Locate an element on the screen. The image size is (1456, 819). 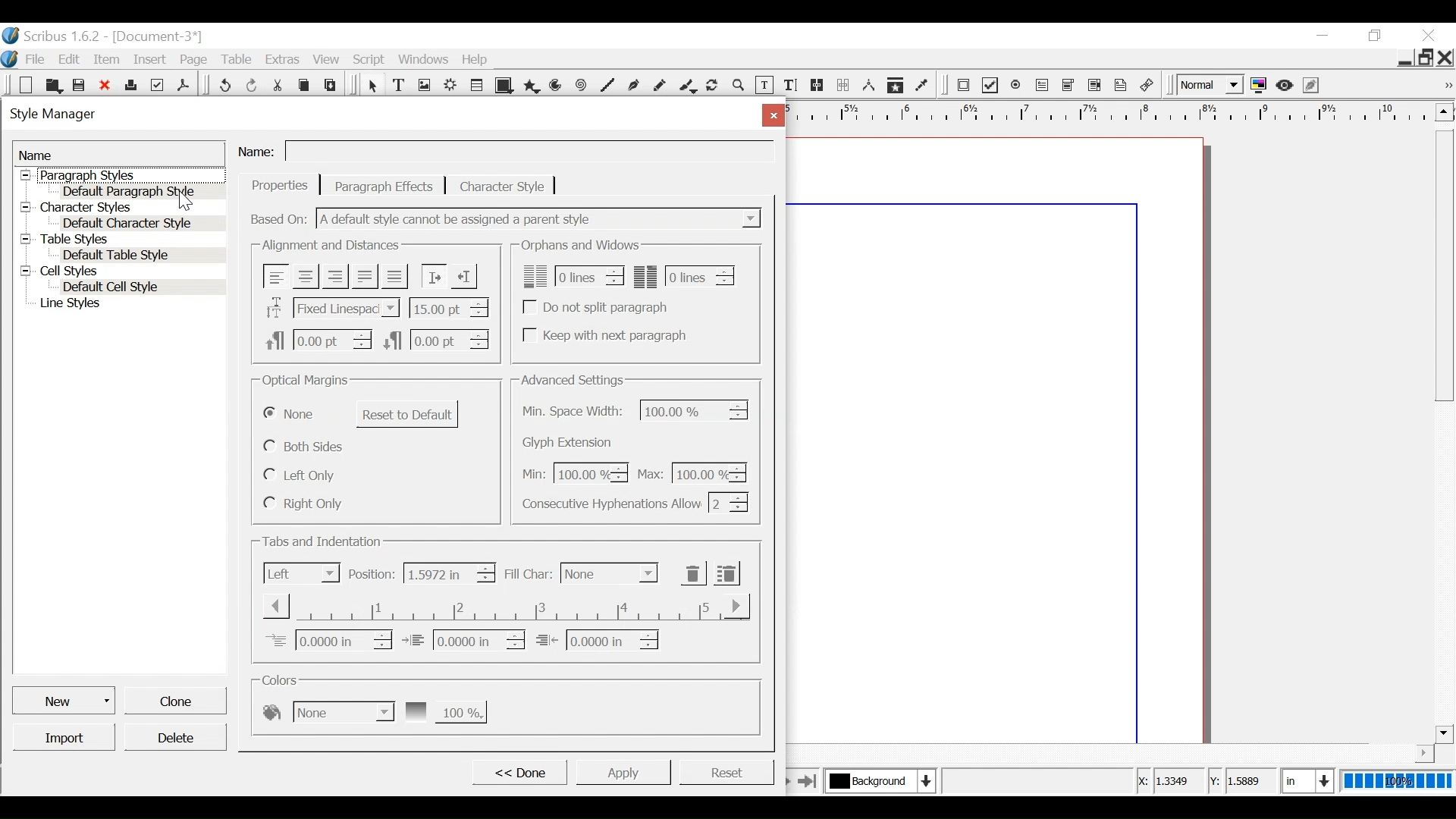
Consecutive Hyphenations allow is located at coordinates (635, 502).